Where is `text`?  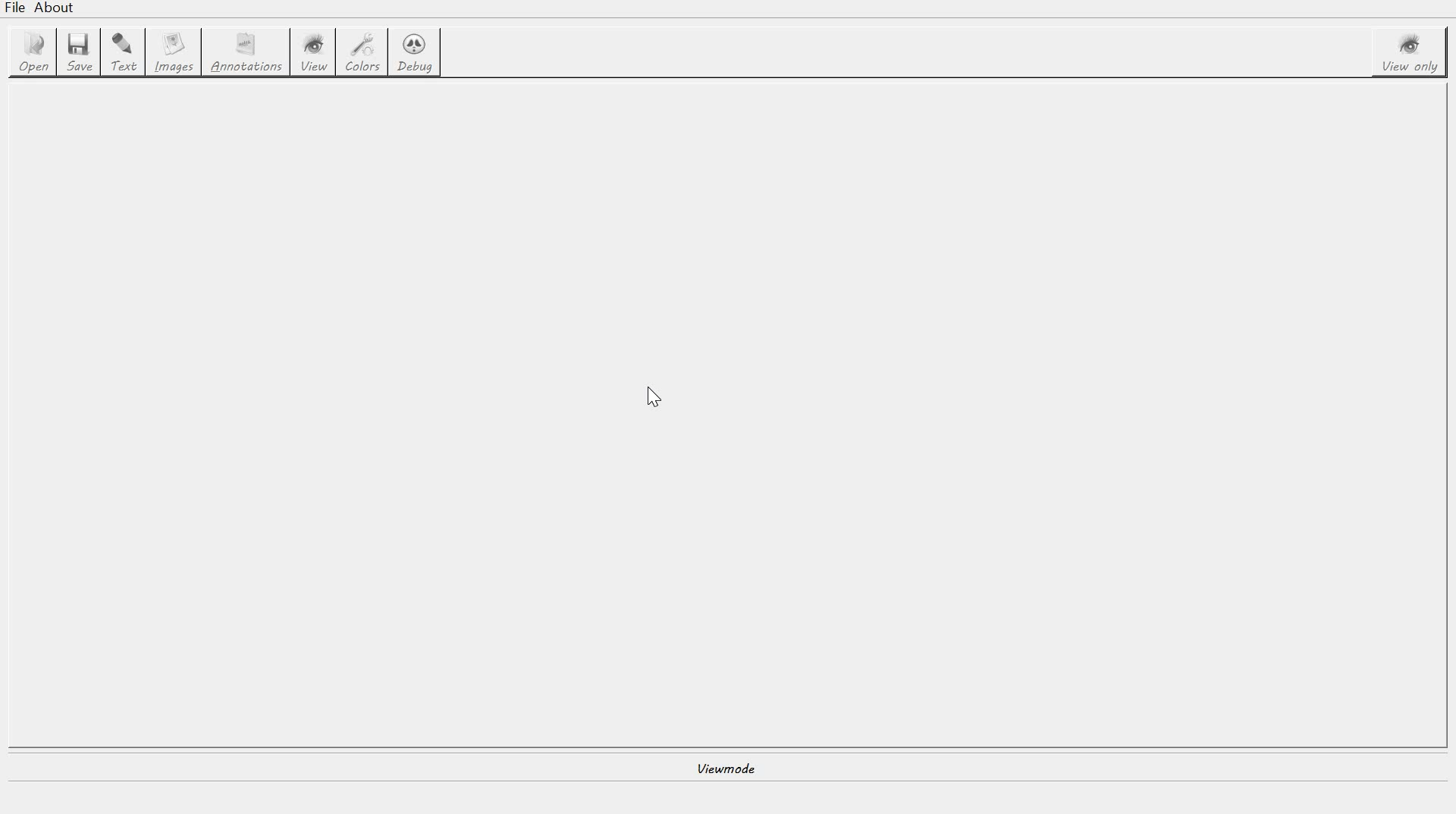
text is located at coordinates (122, 52).